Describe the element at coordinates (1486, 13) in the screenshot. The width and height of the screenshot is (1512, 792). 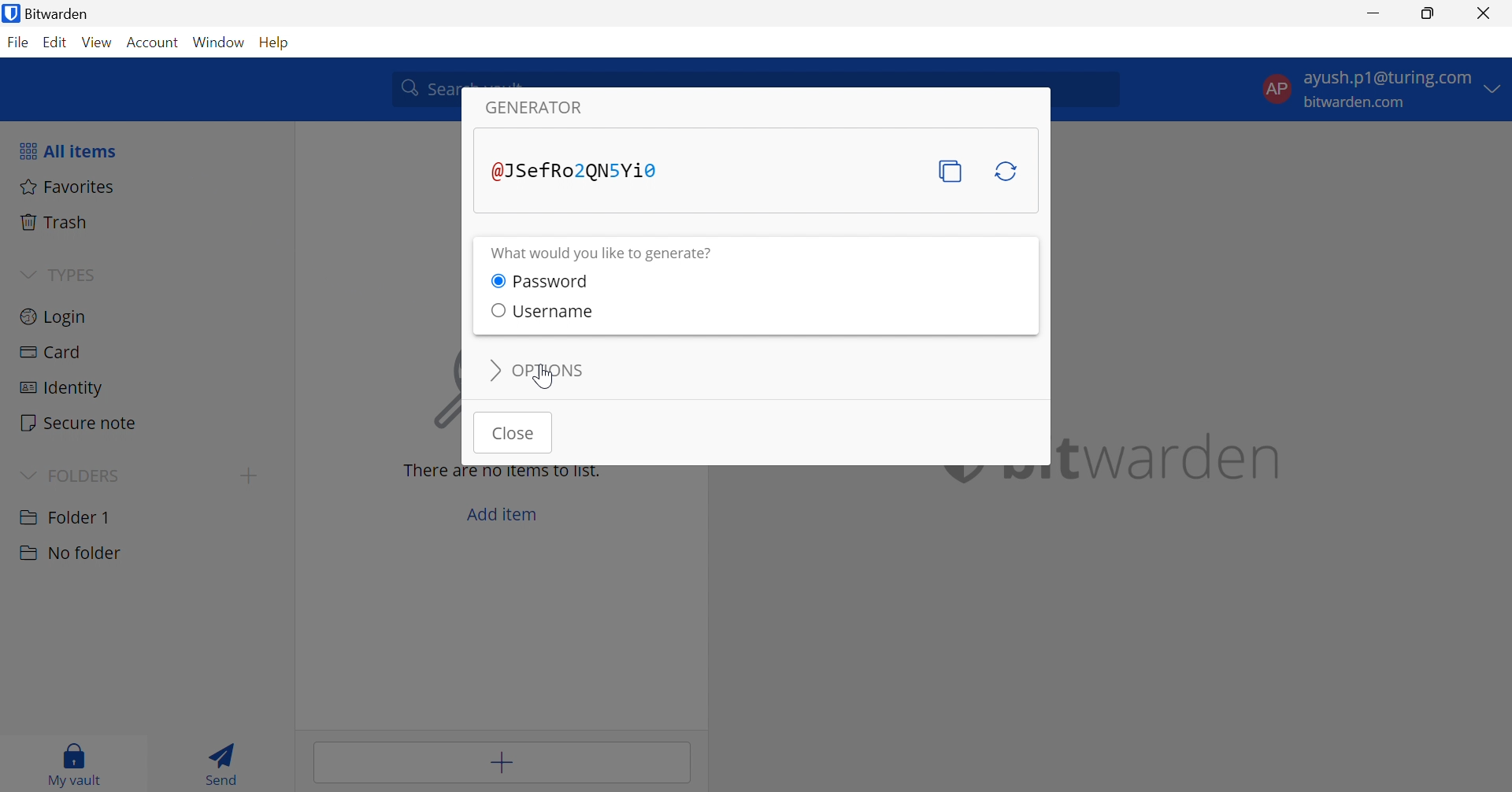
I see `Close` at that location.